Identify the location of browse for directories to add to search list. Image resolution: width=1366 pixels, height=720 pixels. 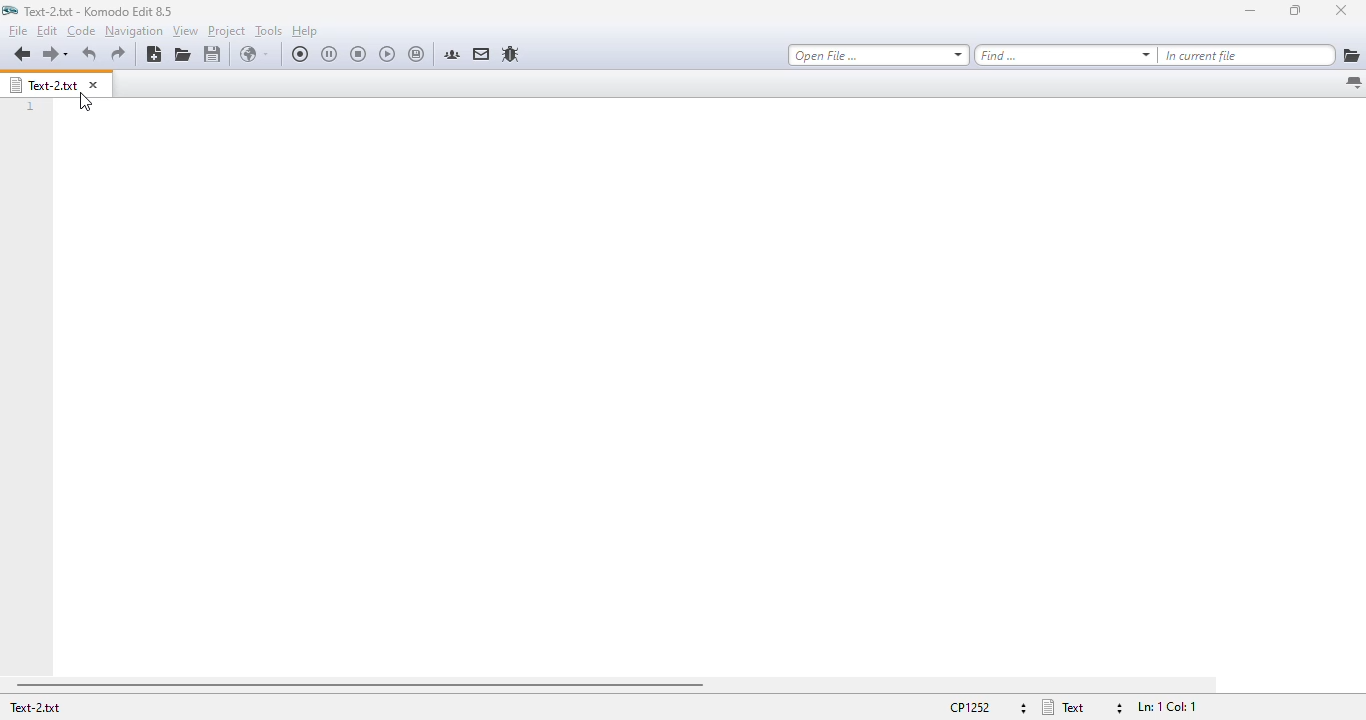
(1352, 55).